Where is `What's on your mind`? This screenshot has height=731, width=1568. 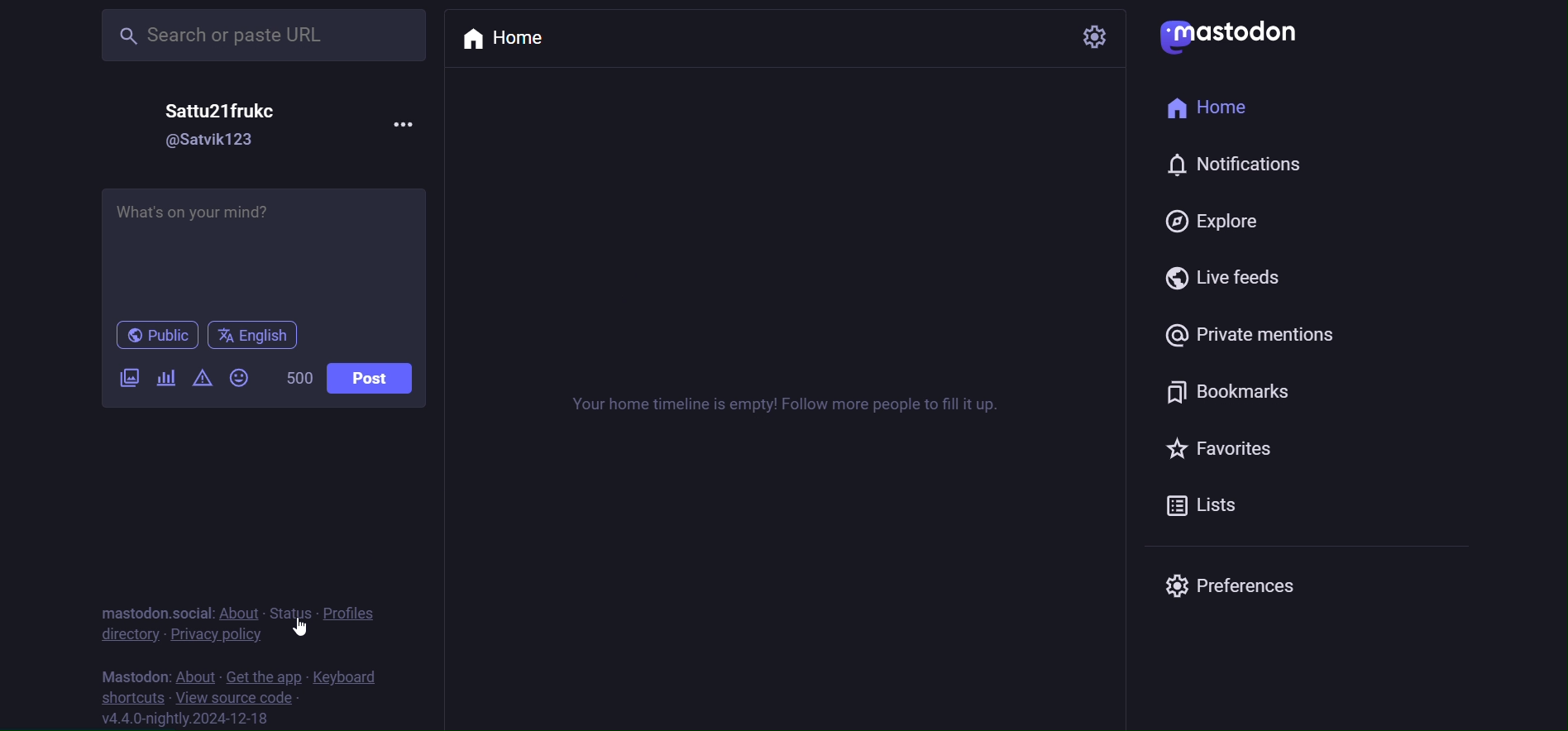 What's on your mind is located at coordinates (263, 246).